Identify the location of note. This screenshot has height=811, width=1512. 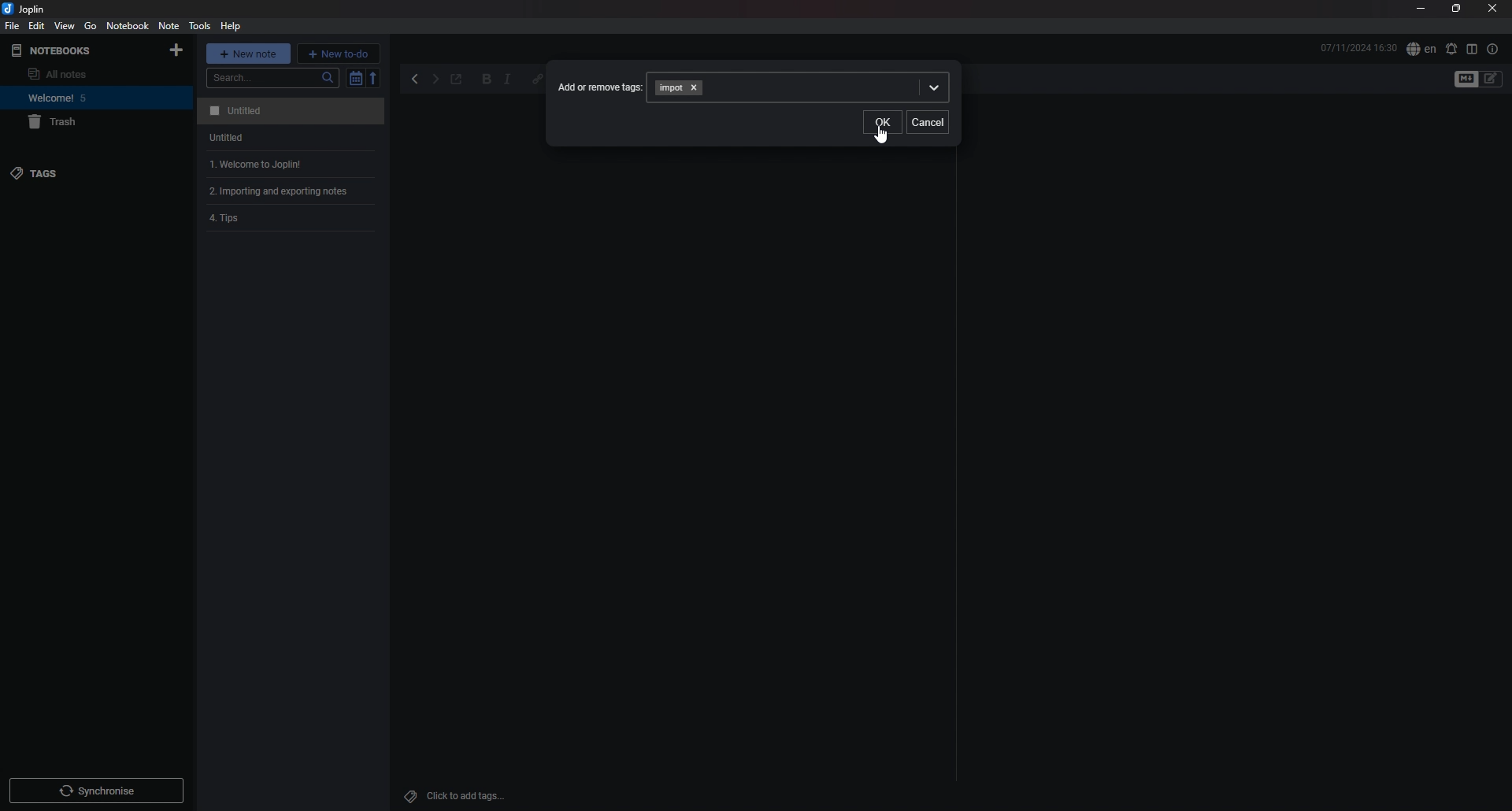
(293, 220).